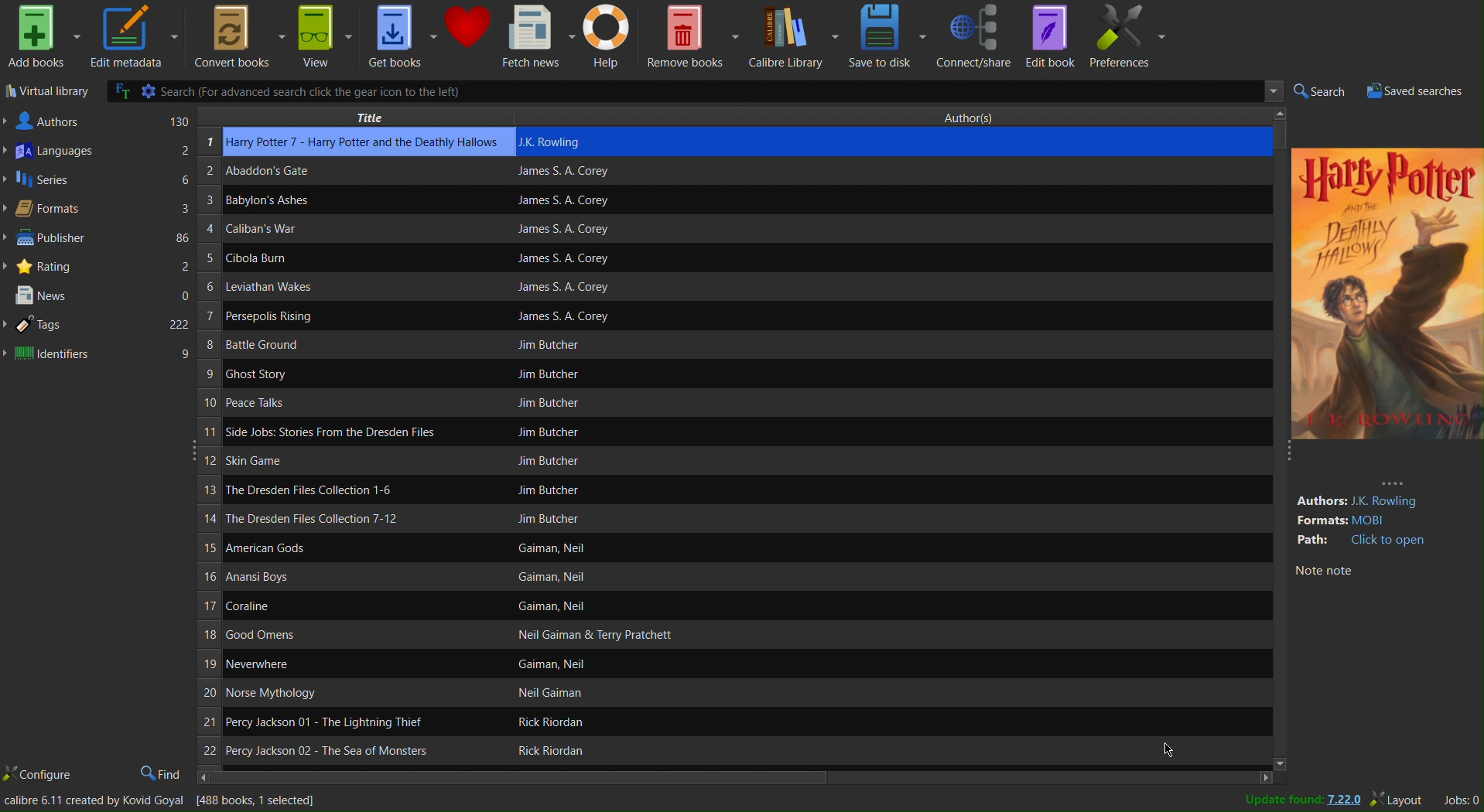 This screenshot has width=1484, height=812. What do you see at coordinates (1174, 756) in the screenshot?
I see `cursor` at bounding box center [1174, 756].